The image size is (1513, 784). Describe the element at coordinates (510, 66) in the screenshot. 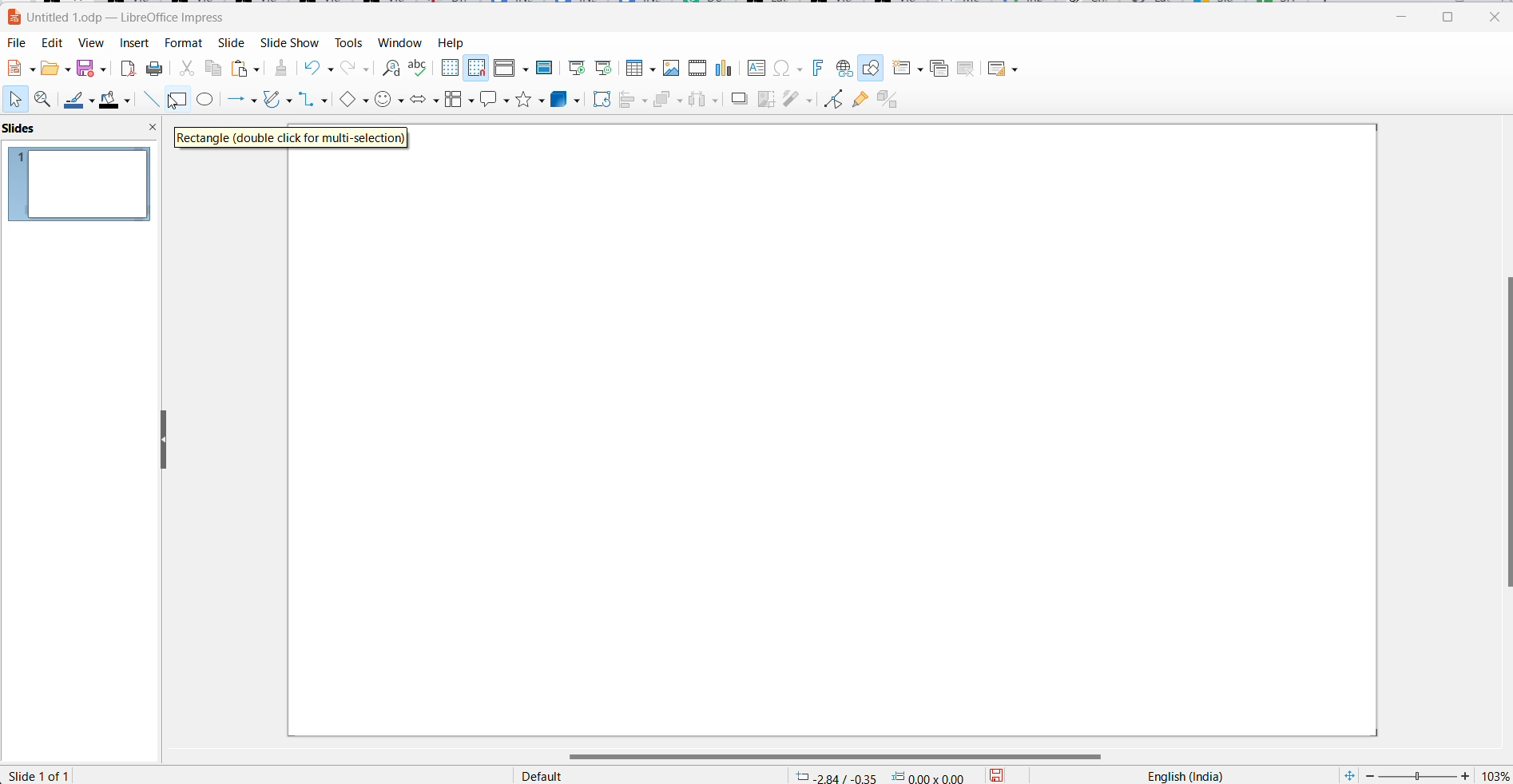

I see `Display views` at that location.